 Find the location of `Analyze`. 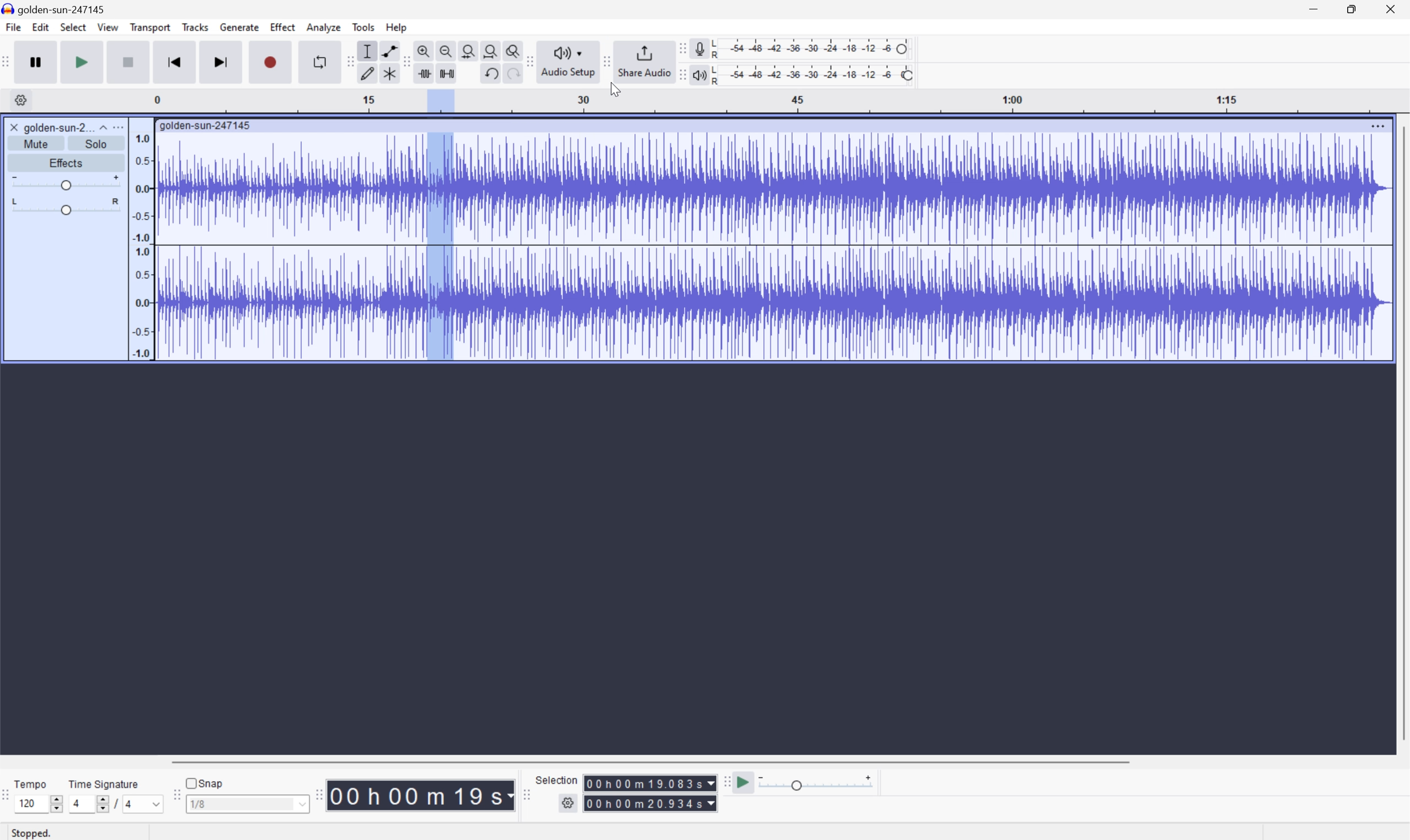

Analyze is located at coordinates (323, 27).